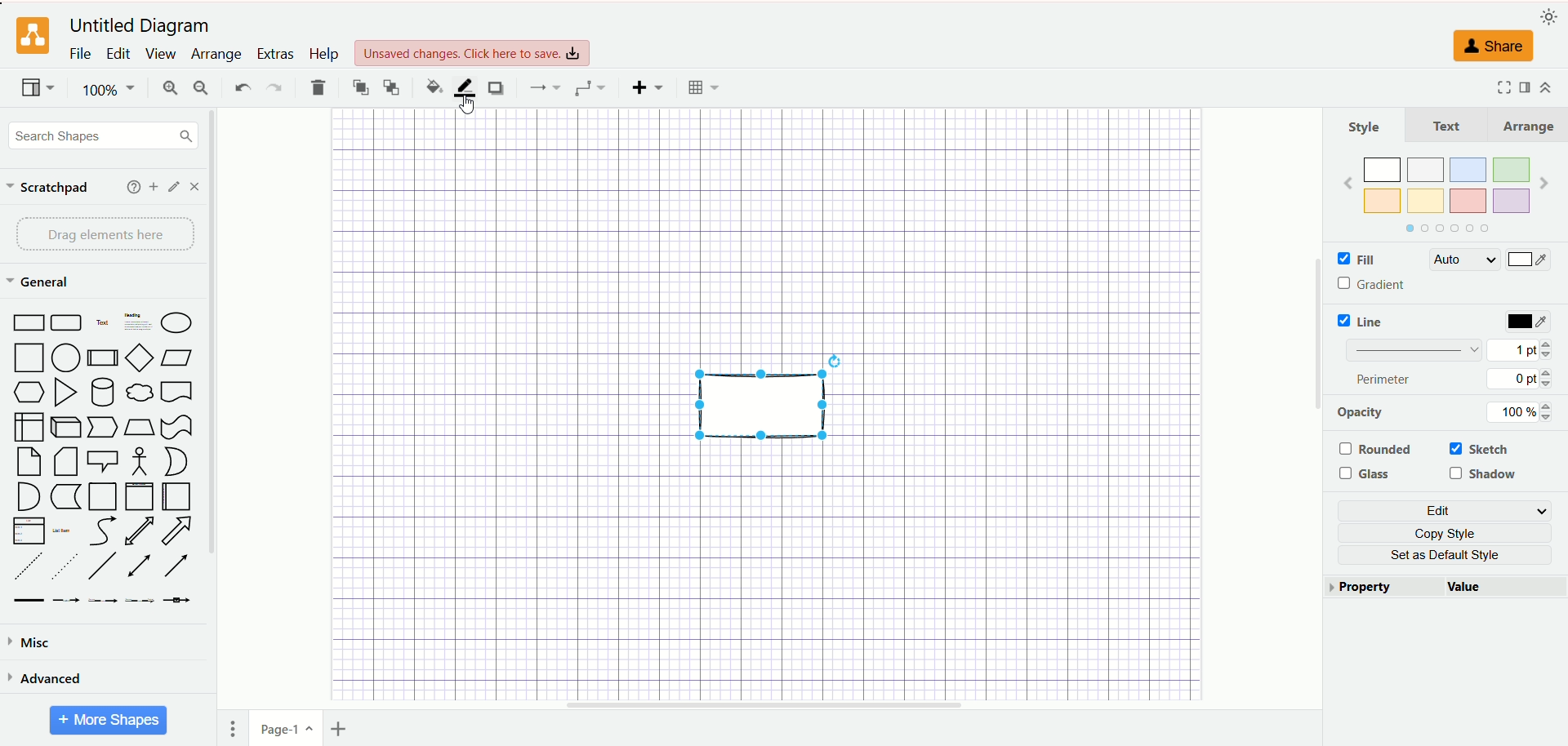 The image size is (1568, 746). Describe the element at coordinates (1547, 89) in the screenshot. I see `expand/collapse` at that location.